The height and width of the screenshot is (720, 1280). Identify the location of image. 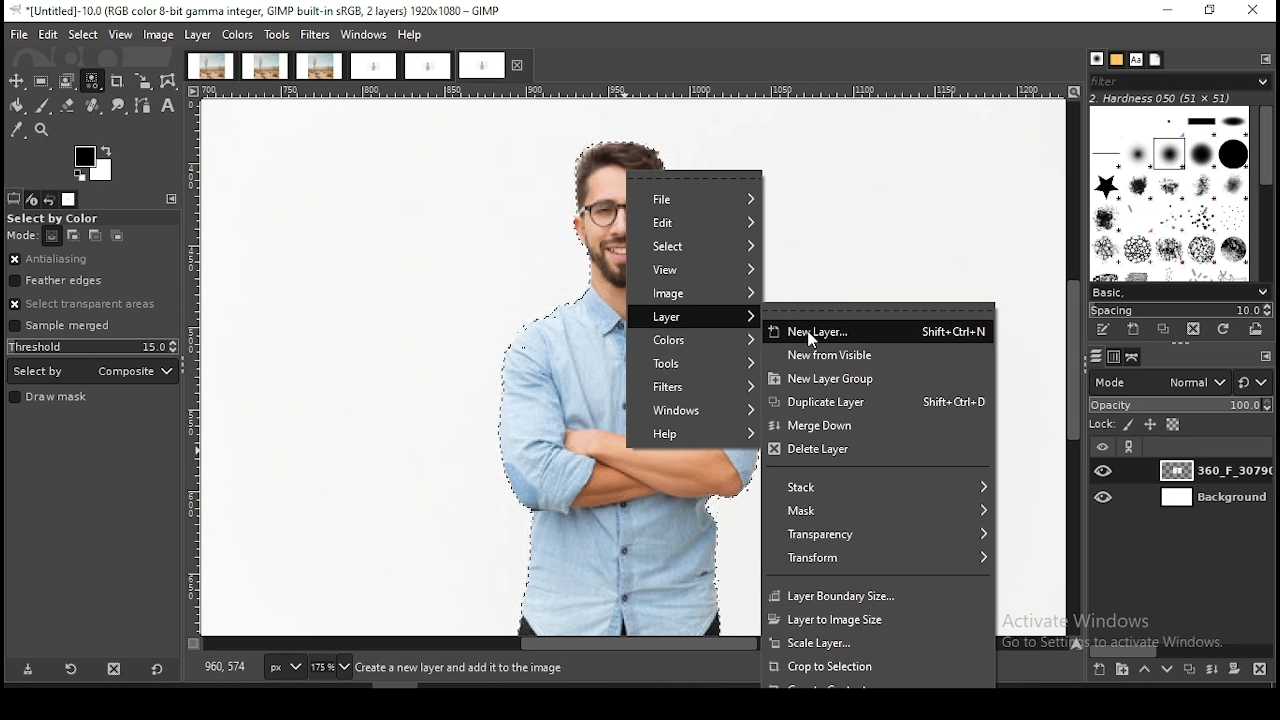
(692, 294).